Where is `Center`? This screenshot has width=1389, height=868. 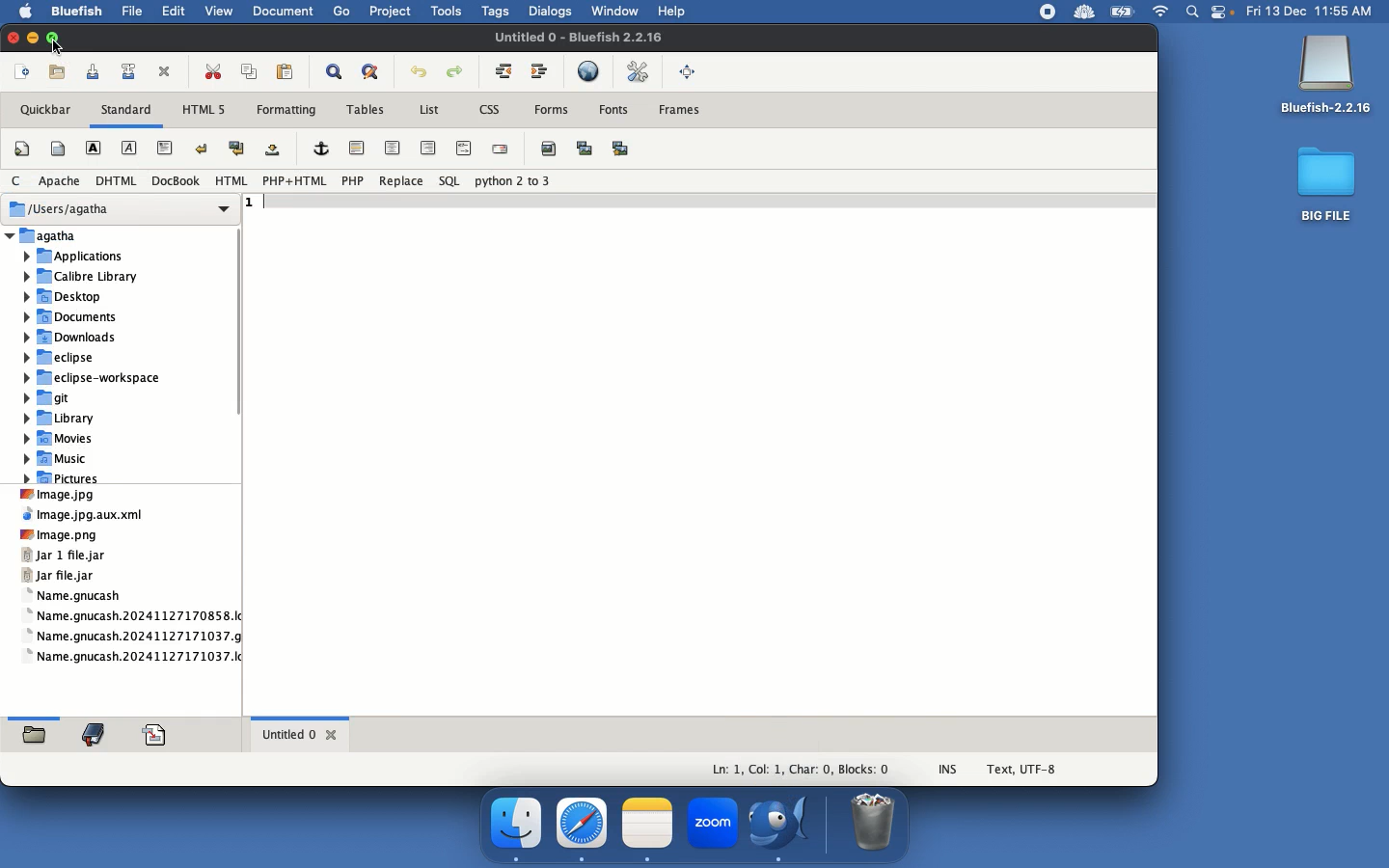 Center is located at coordinates (395, 150).